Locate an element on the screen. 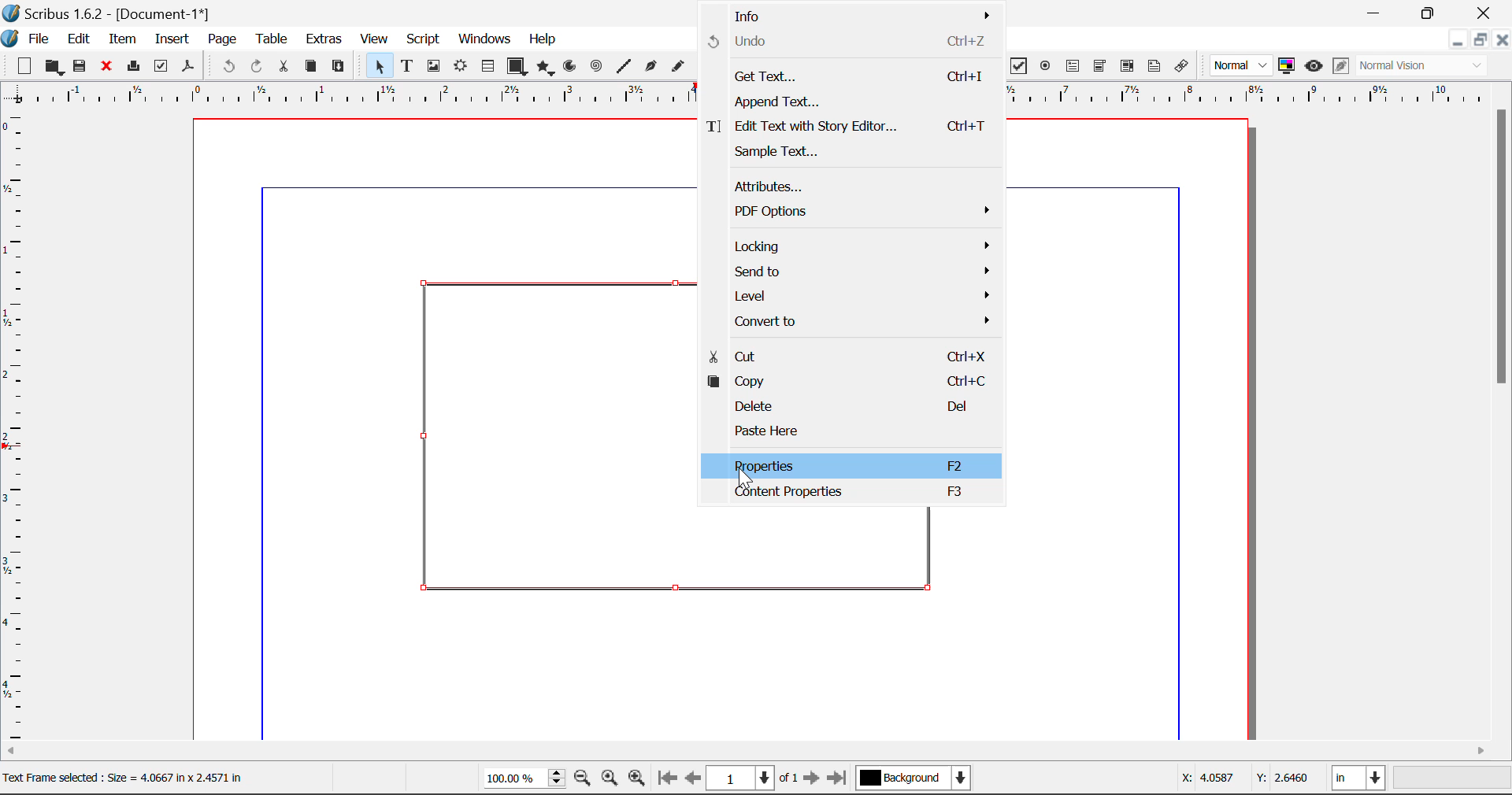  Attributes is located at coordinates (851, 186).